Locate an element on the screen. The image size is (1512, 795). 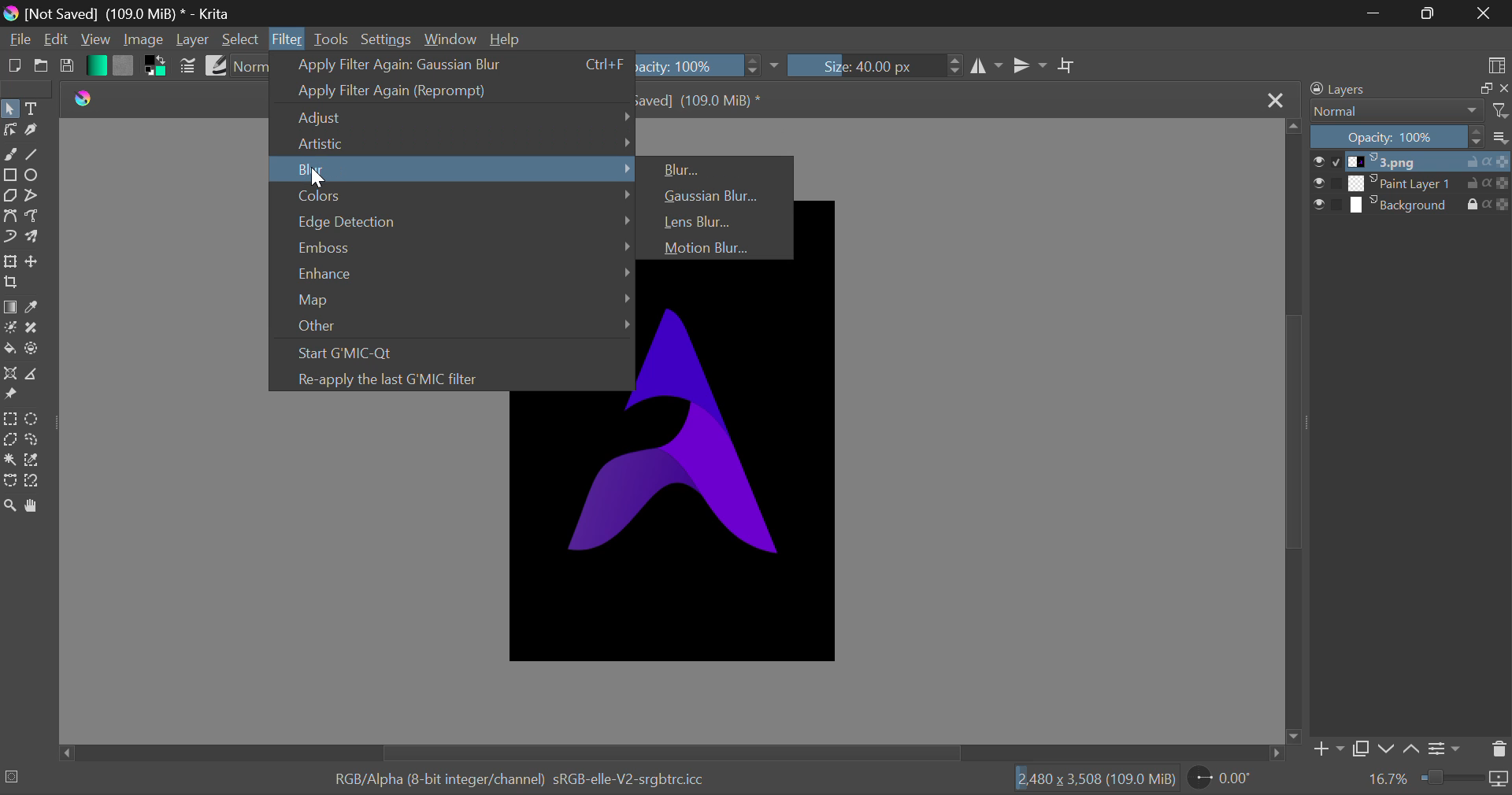
Smart Patch Tool is located at coordinates (30, 330).